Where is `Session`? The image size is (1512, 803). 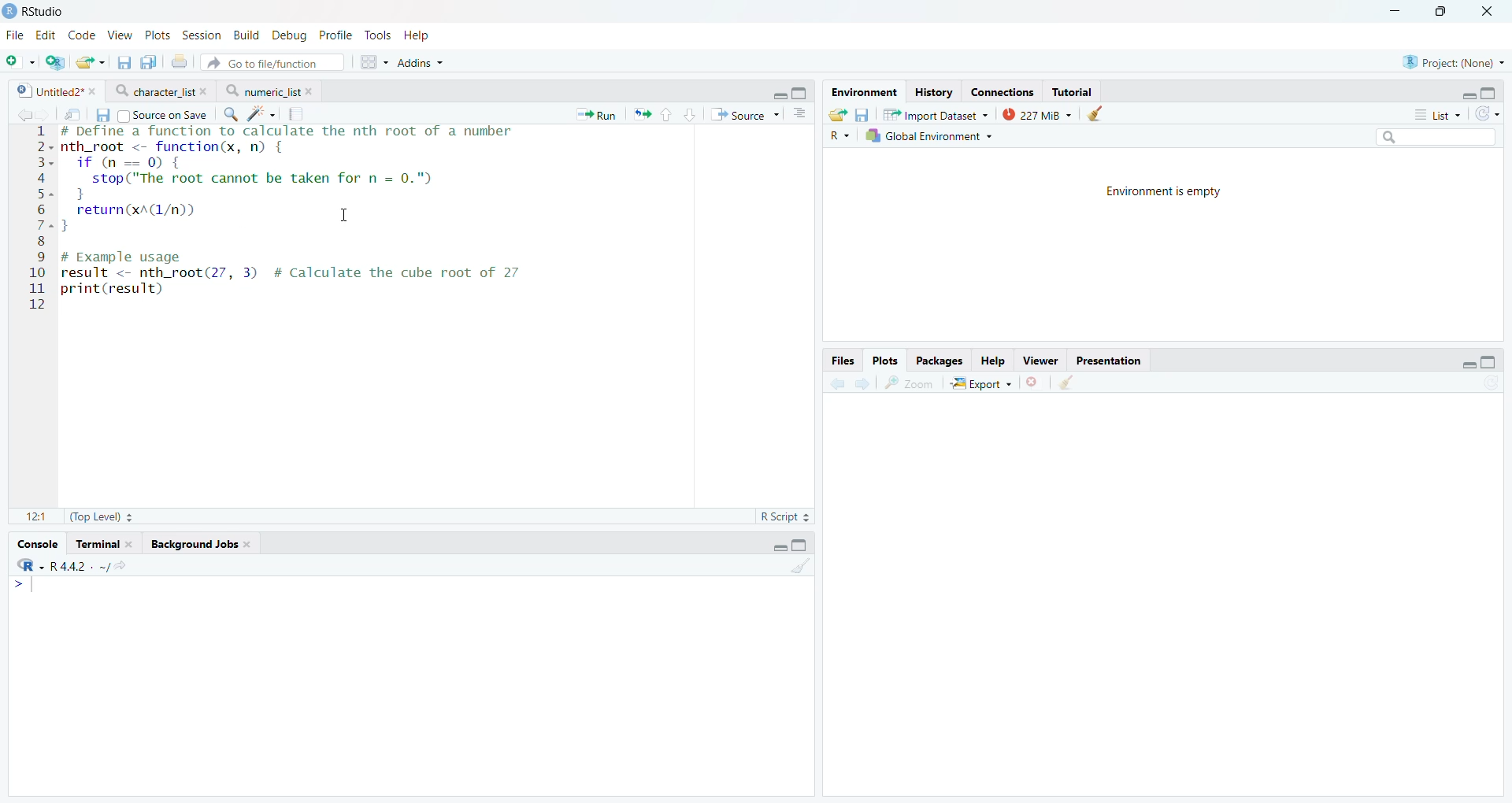 Session is located at coordinates (202, 34).